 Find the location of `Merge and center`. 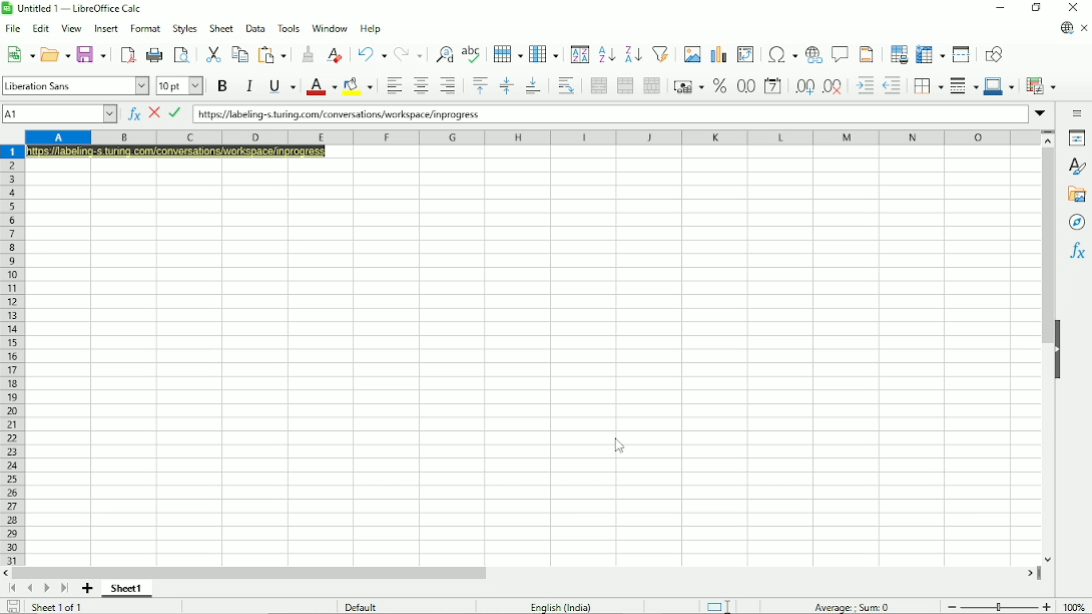

Merge and center is located at coordinates (598, 85).